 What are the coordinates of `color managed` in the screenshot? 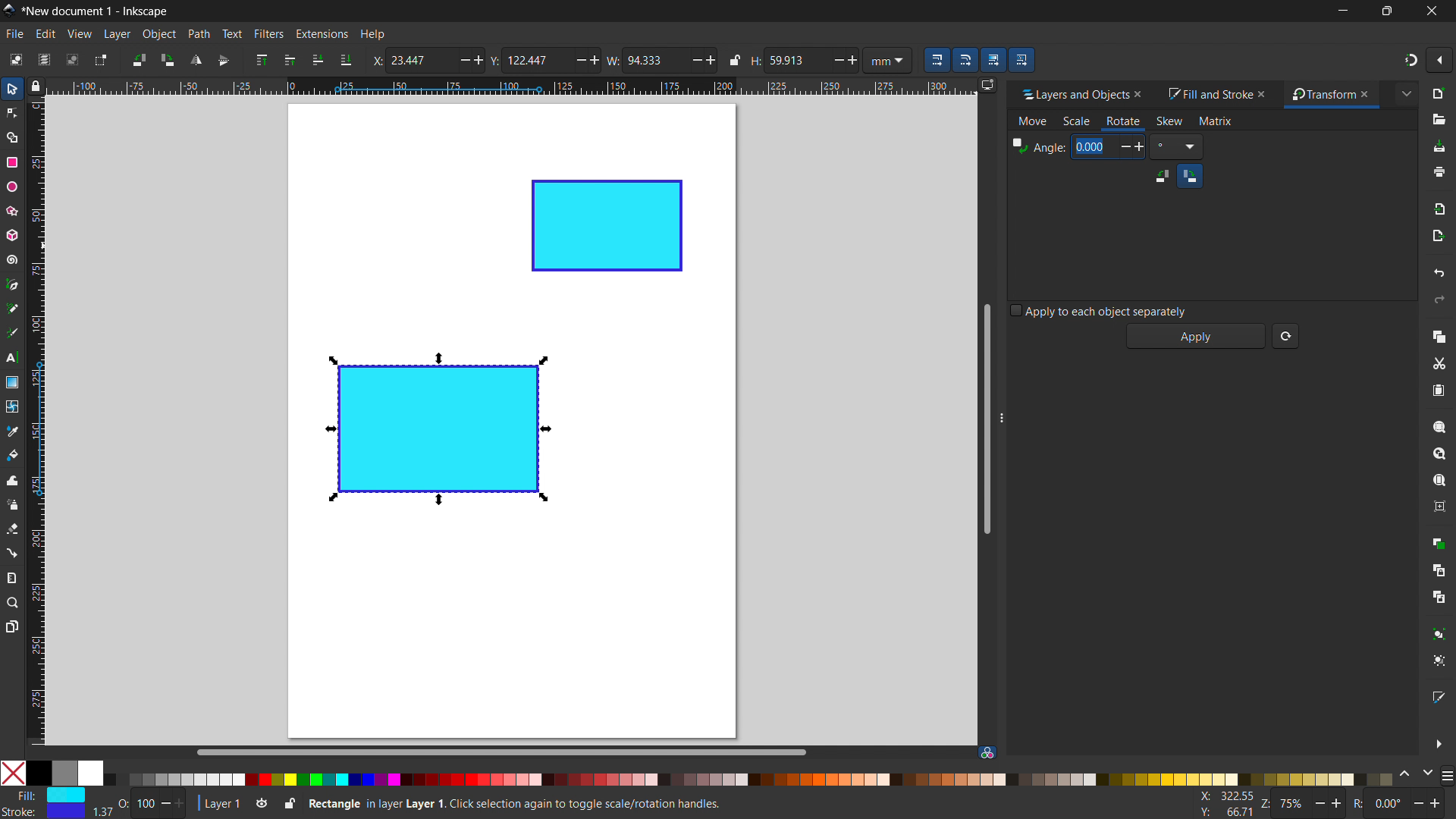 It's located at (987, 752).